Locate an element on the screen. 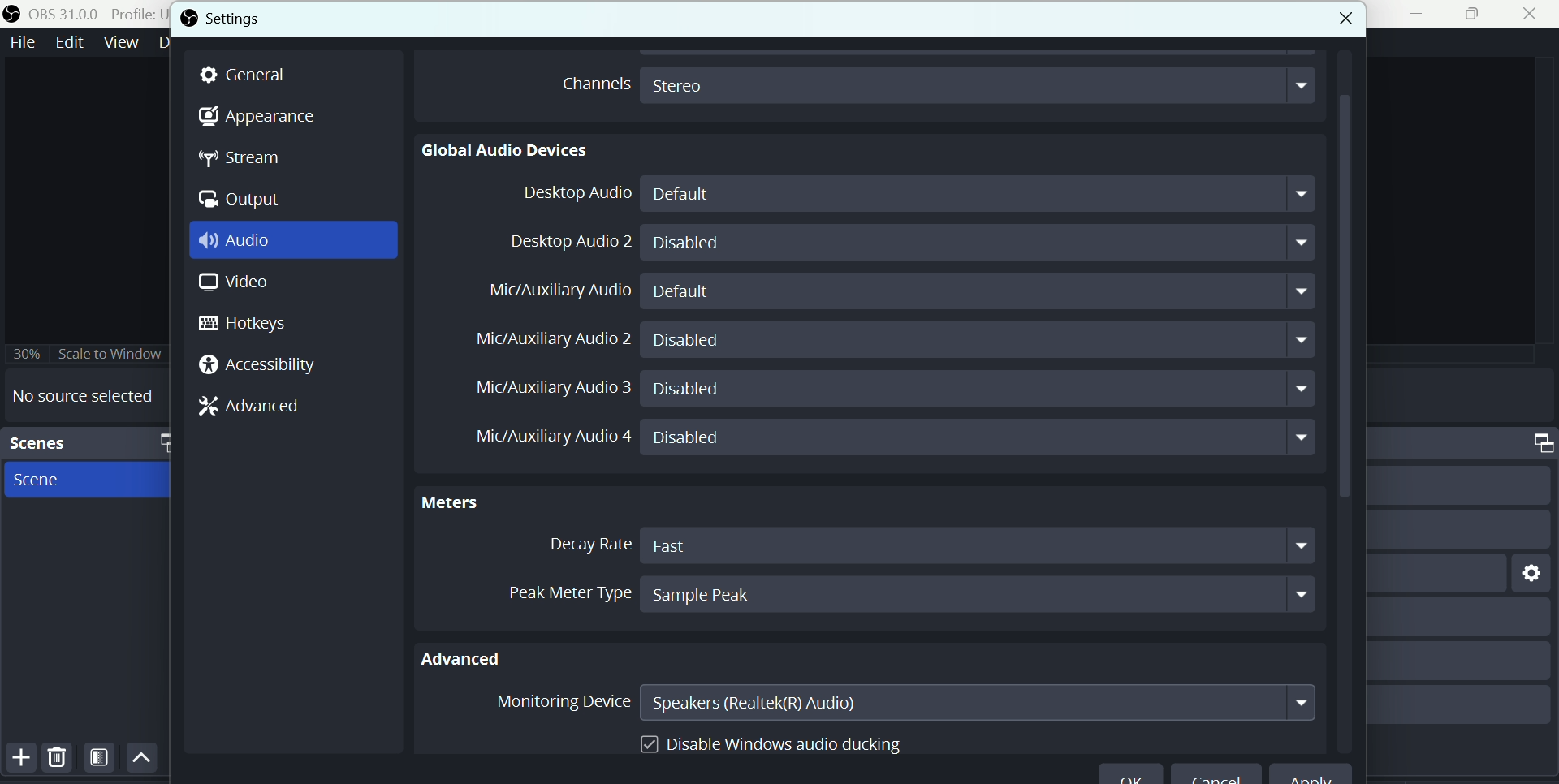  Channels is located at coordinates (591, 82).